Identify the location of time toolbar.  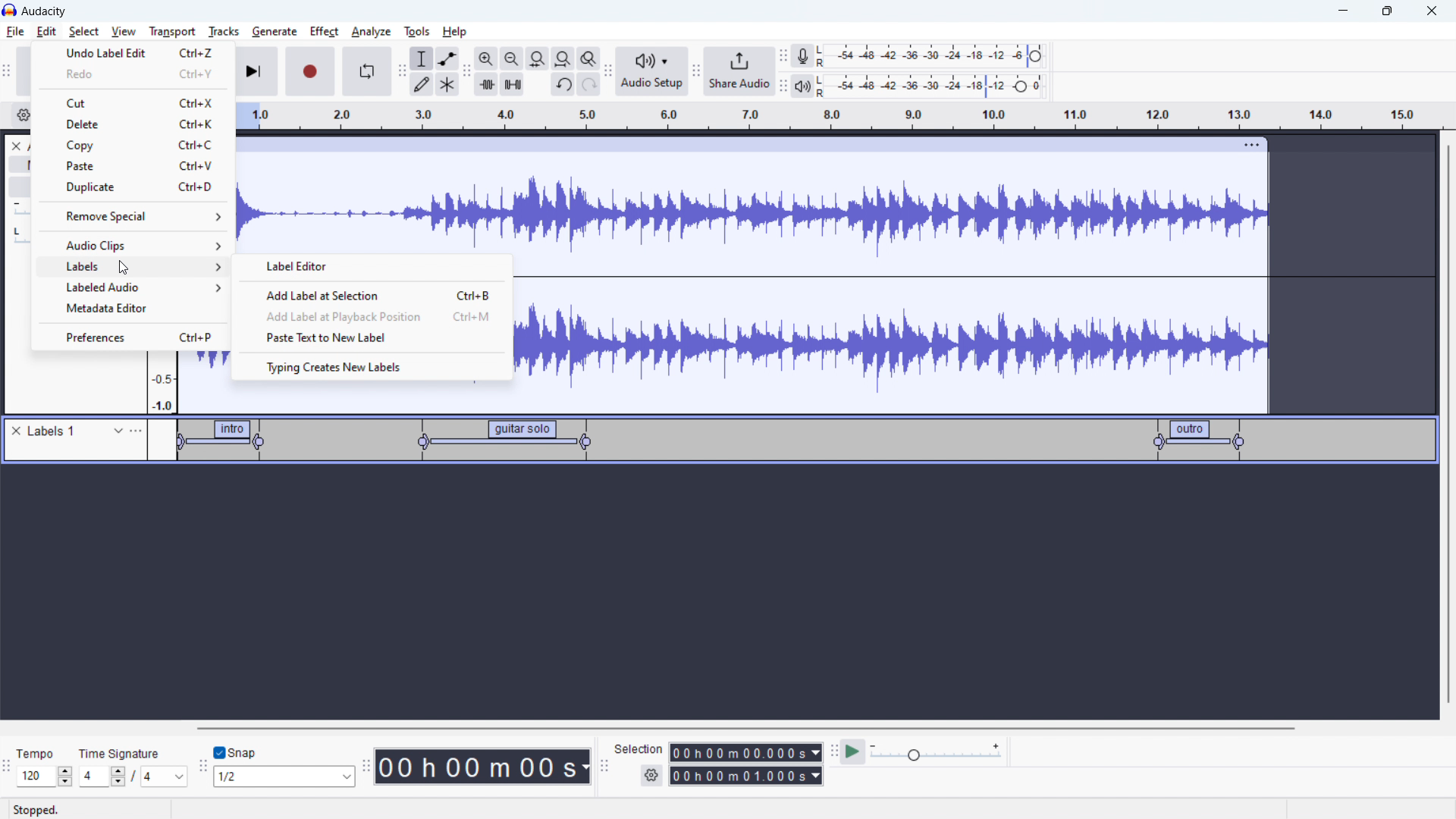
(366, 768).